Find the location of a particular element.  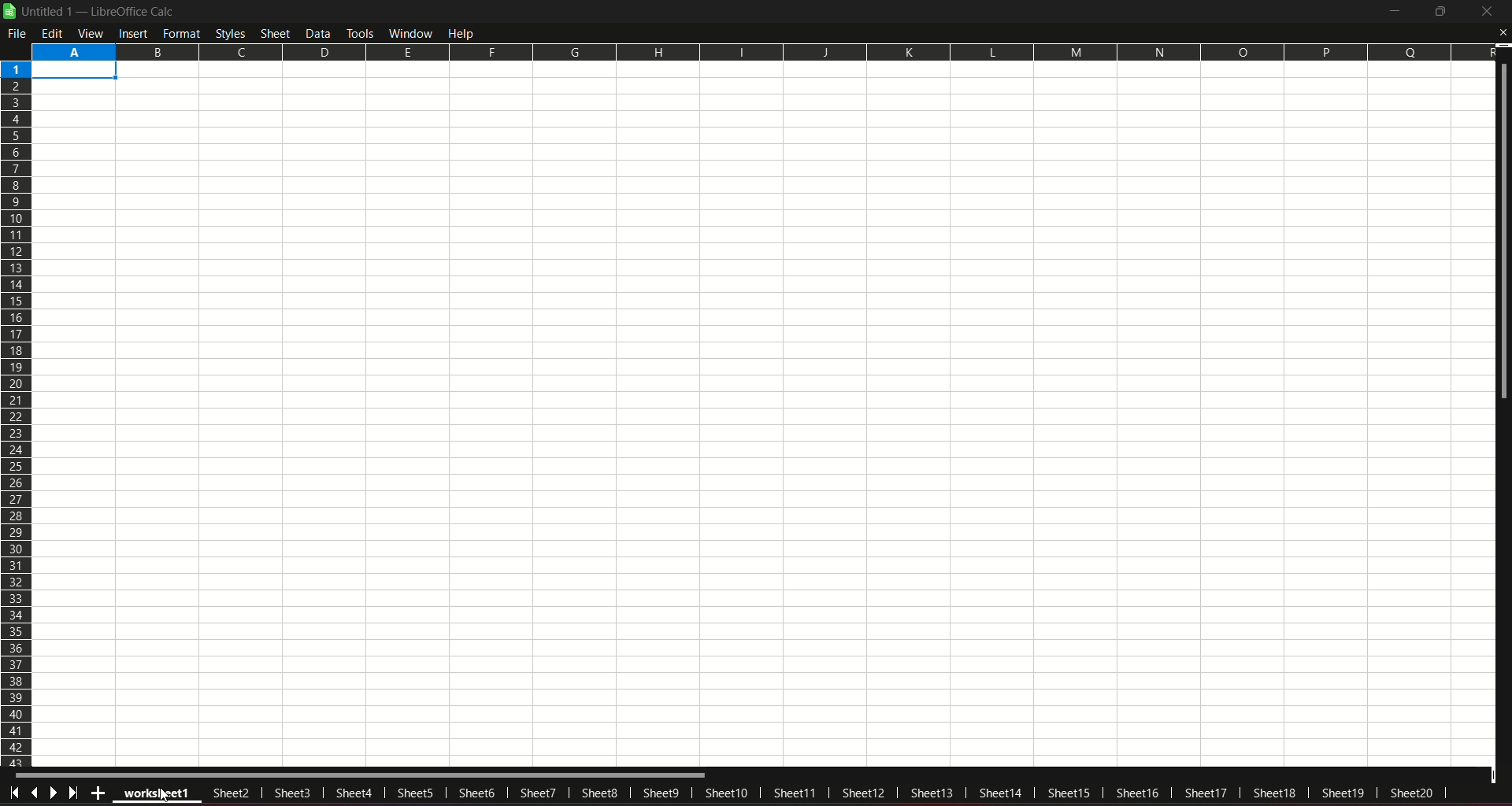

sheet16 is located at coordinates (1136, 793).